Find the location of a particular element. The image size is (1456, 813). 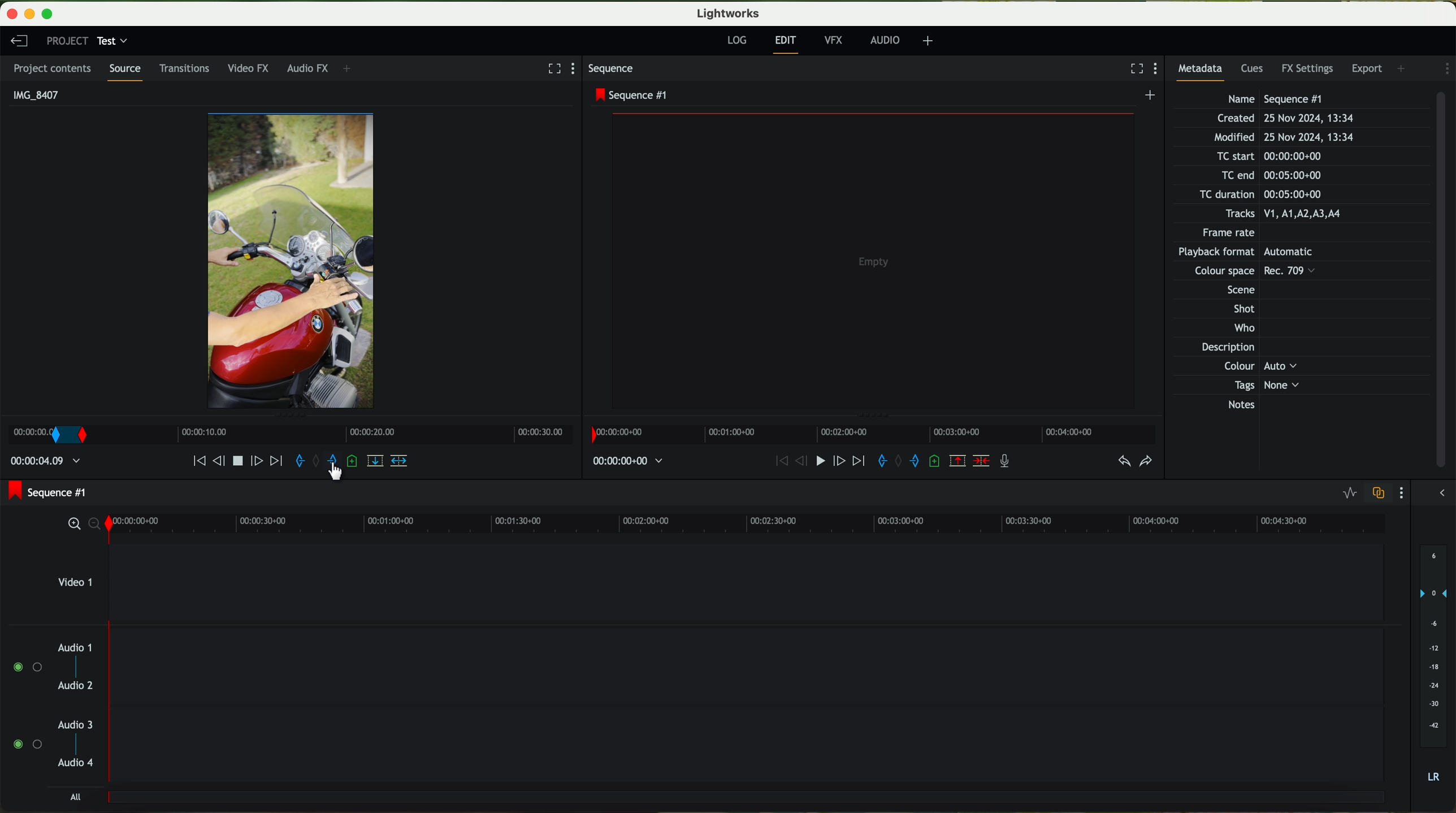

Frame rate is located at coordinates (1232, 235).